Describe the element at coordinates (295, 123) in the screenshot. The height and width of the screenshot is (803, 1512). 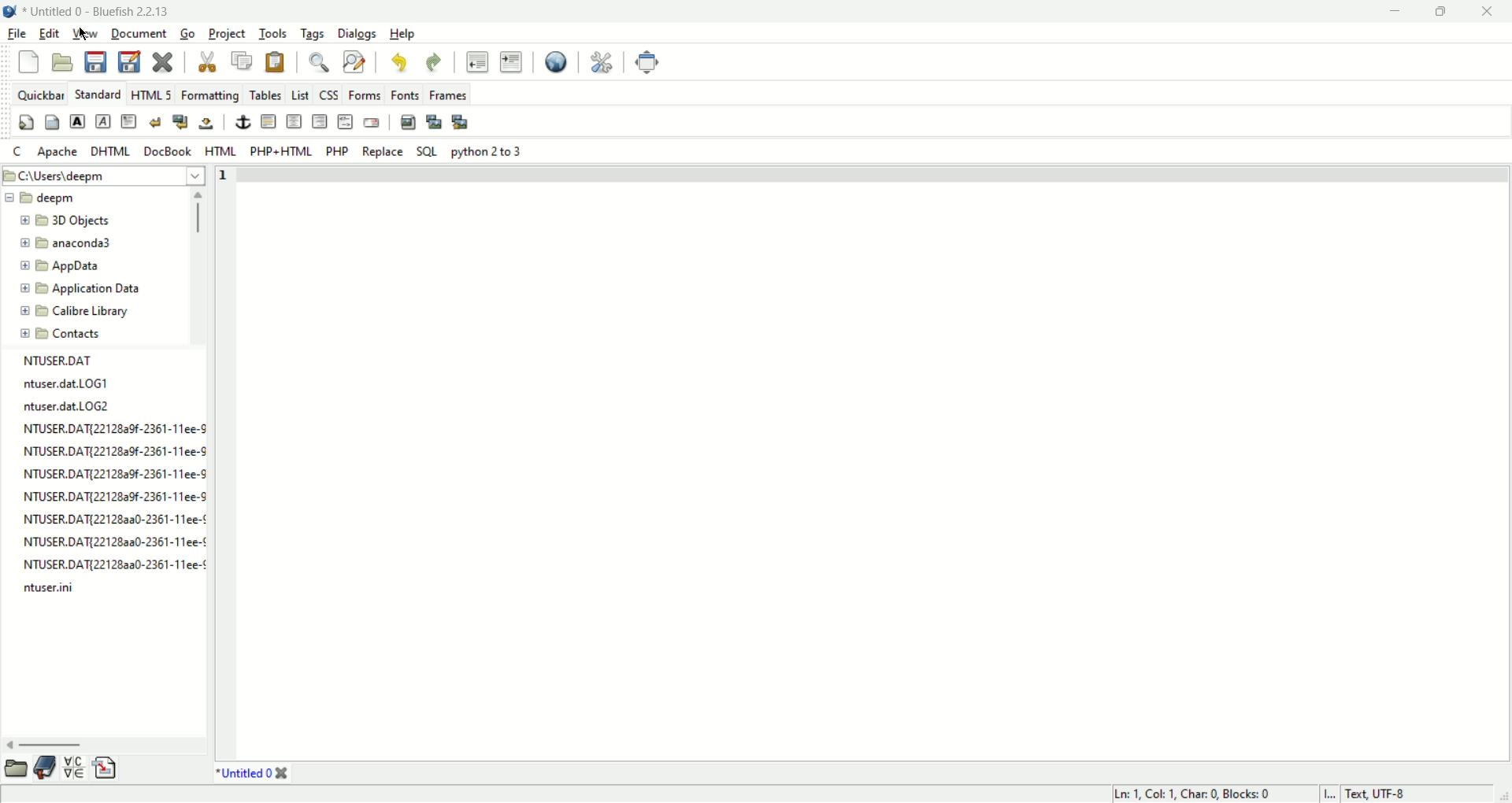
I see `center` at that location.